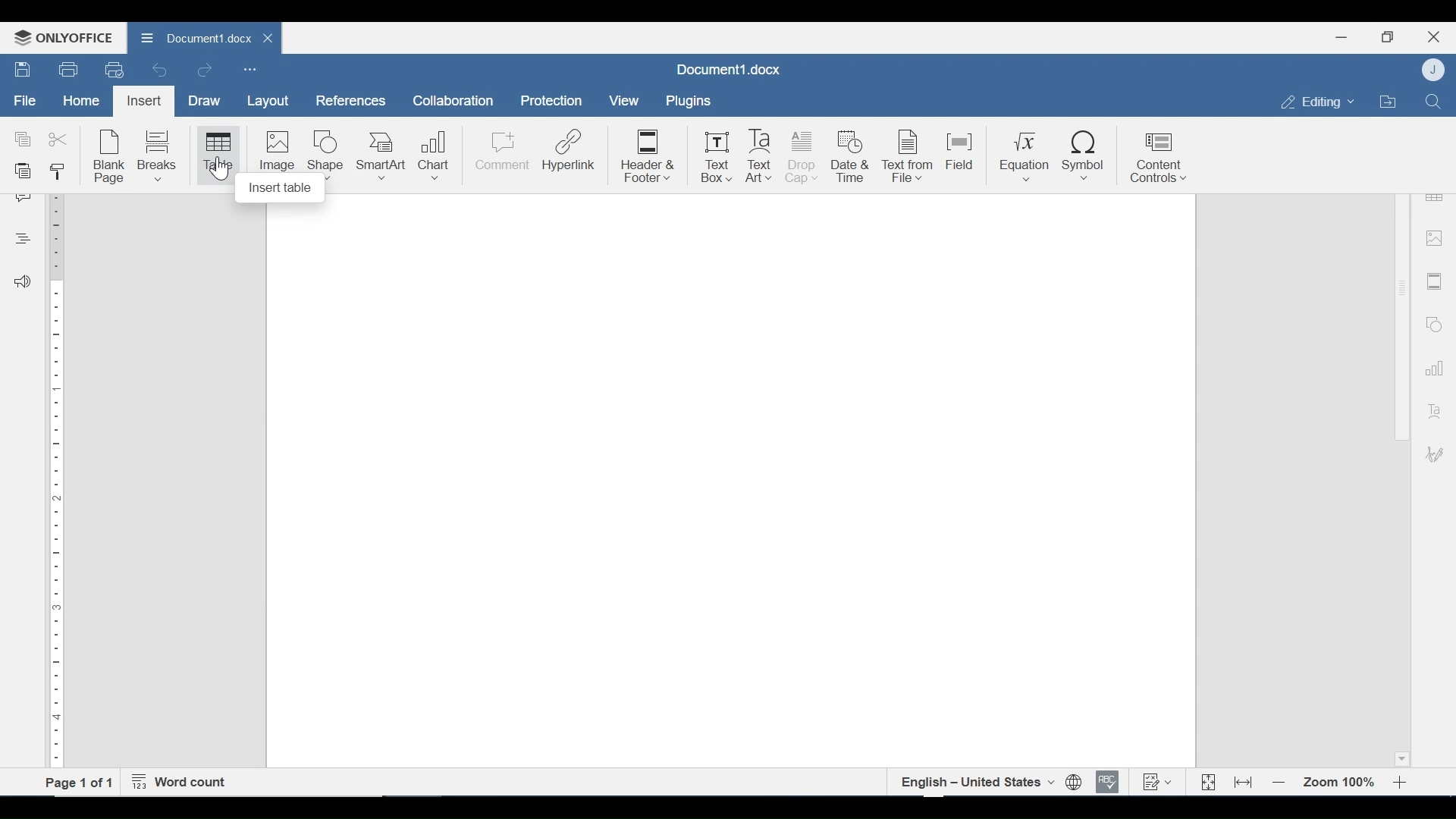  What do you see at coordinates (1432, 408) in the screenshot?
I see `Text Art` at bounding box center [1432, 408].